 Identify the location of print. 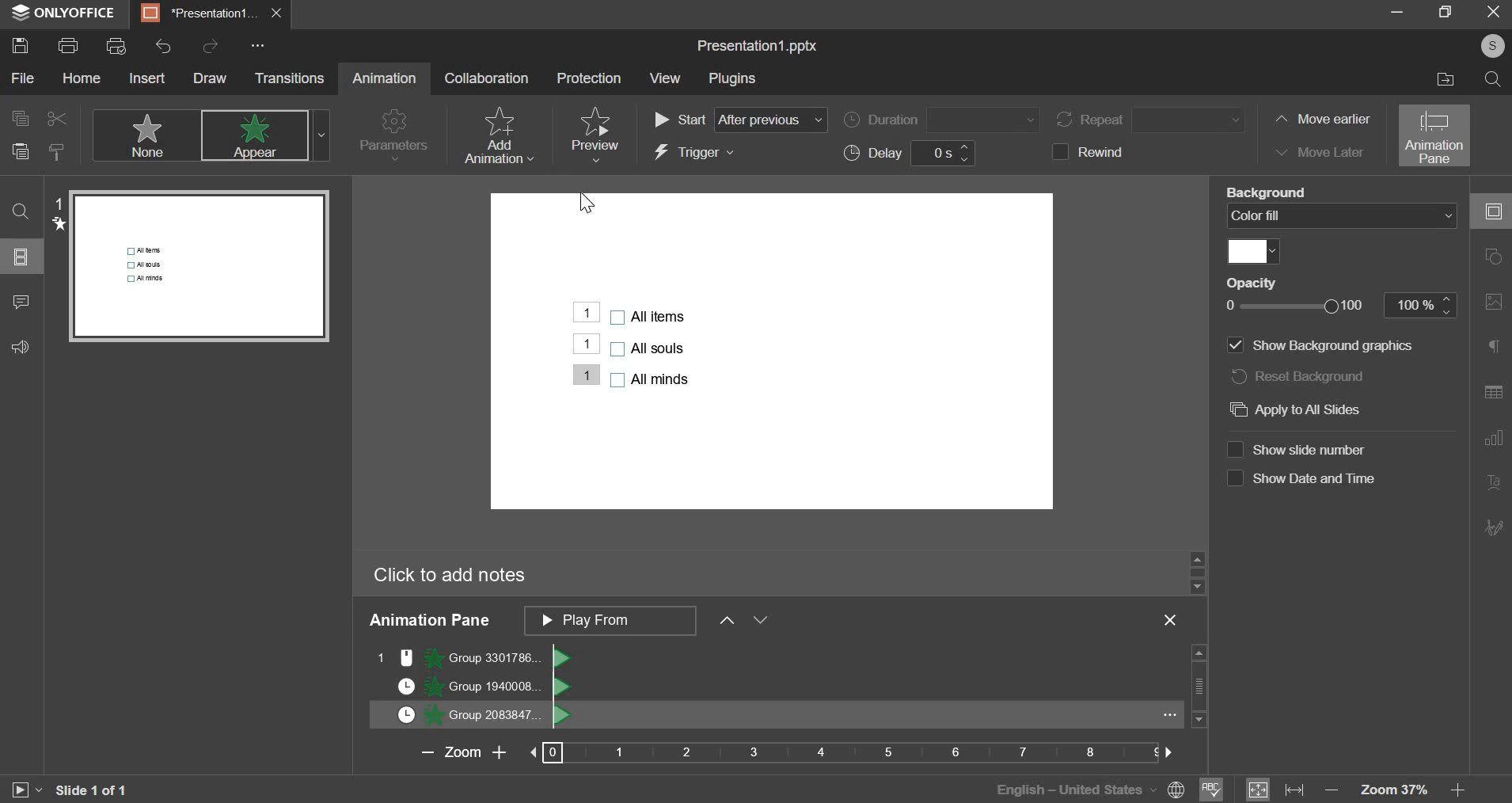
(68, 44).